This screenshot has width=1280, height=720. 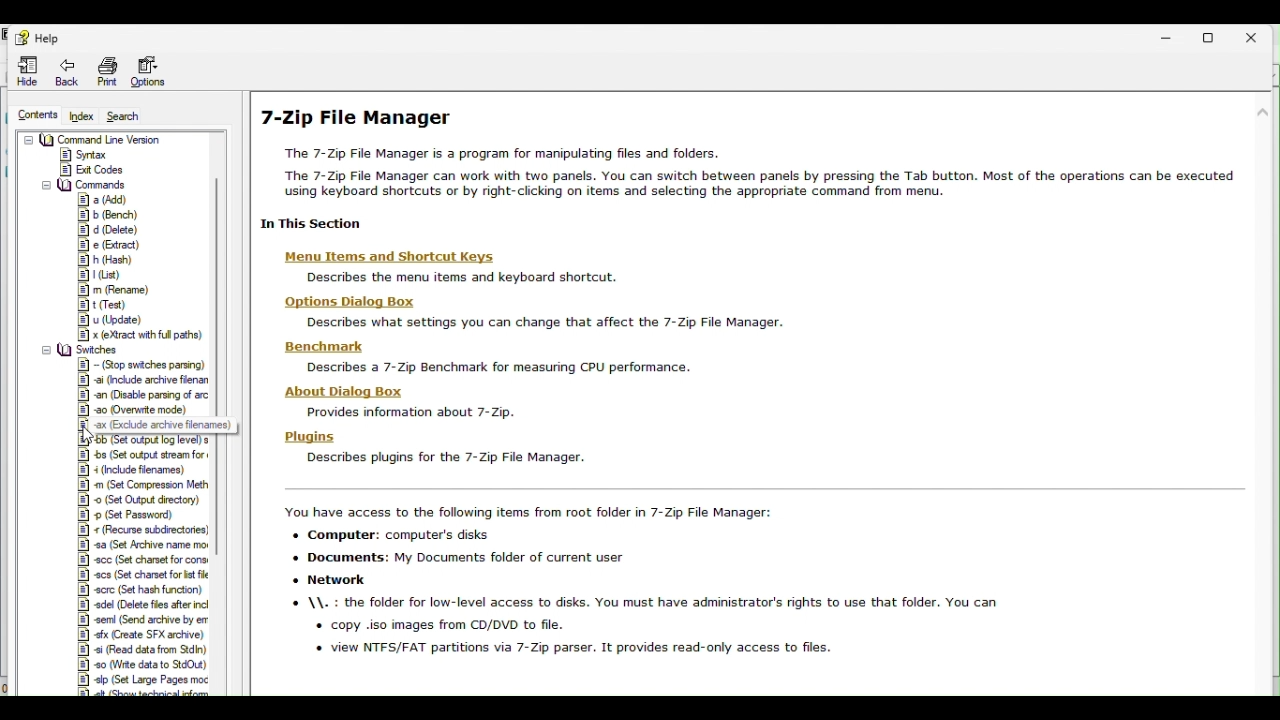 What do you see at coordinates (146, 394) in the screenshot?
I see `18] an (Disable parsing of ac |` at bounding box center [146, 394].